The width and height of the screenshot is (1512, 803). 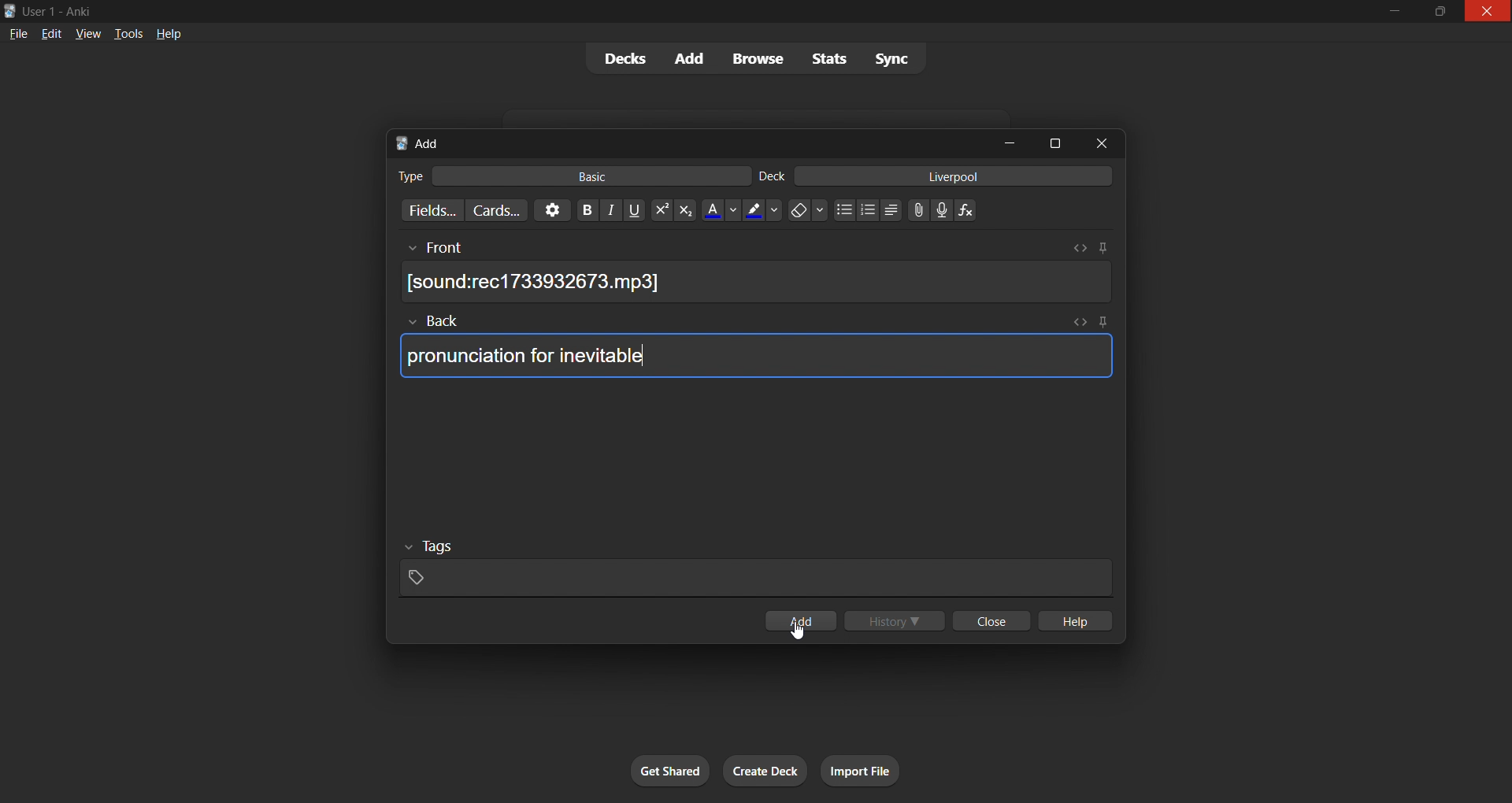 What do you see at coordinates (610, 212) in the screenshot?
I see `italic` at bounding box center [610, 212].